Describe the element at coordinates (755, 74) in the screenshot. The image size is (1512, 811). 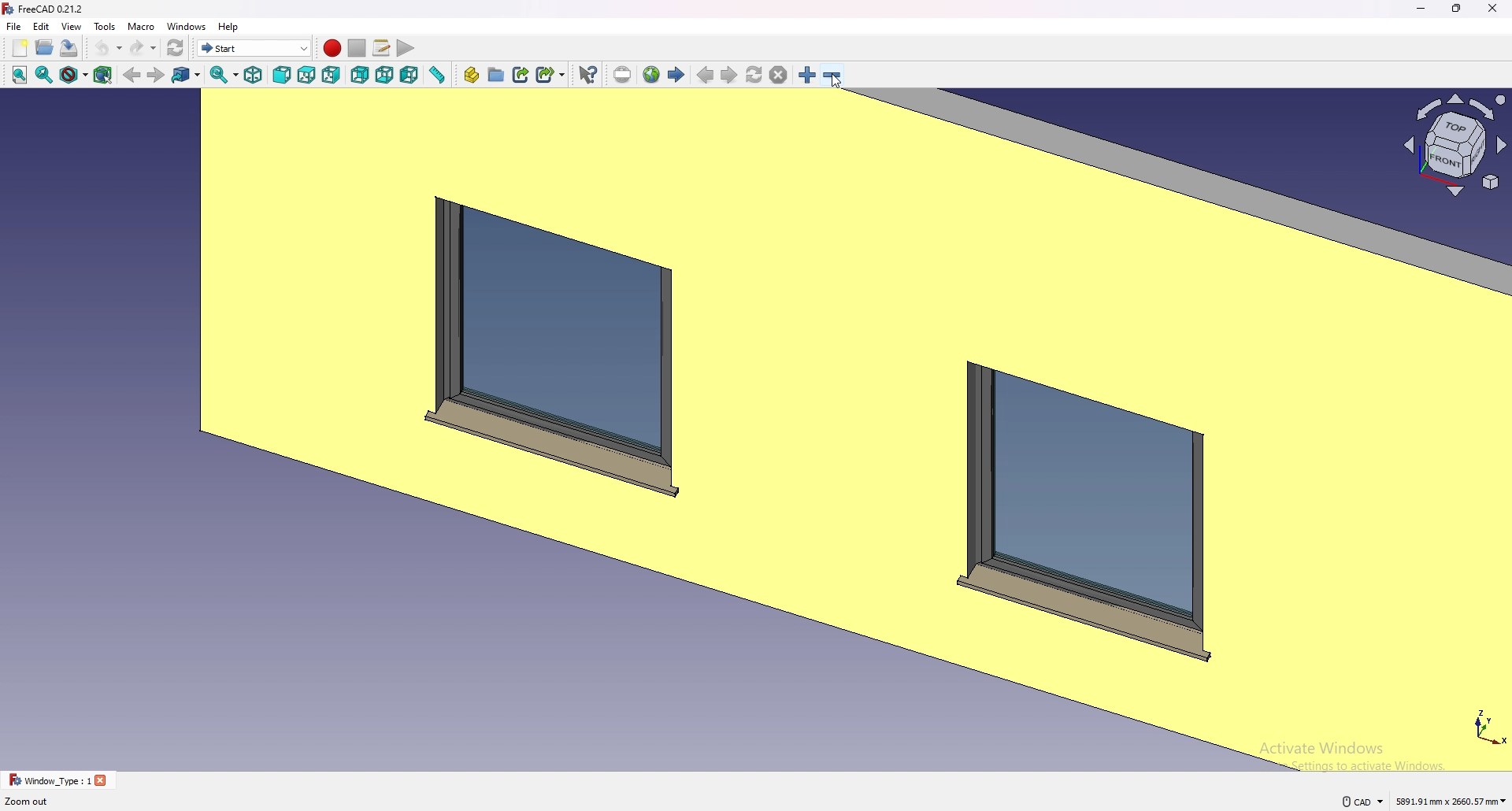
I see `refresh web page` at that location.